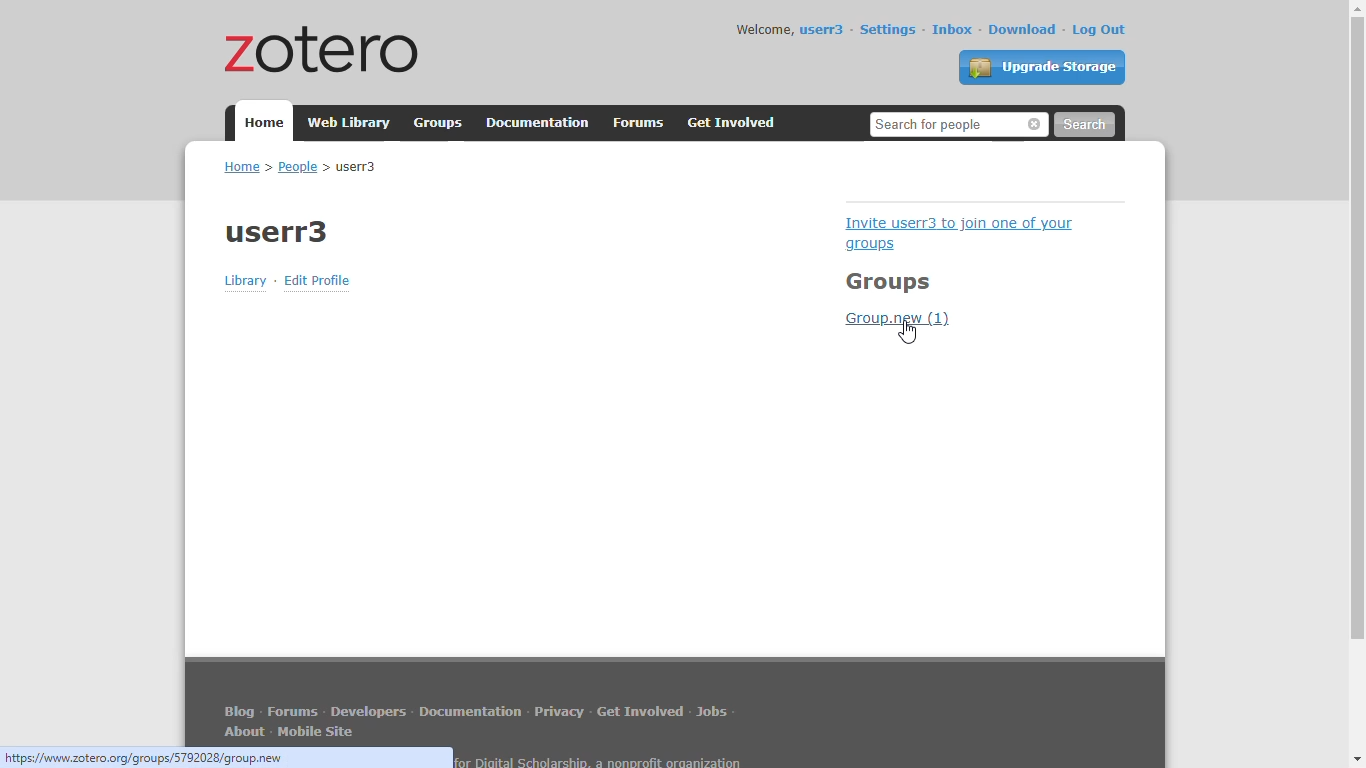 This screenshot has height=768, width=1366. Describe the element at coordinates (960, 234) in the screenshot. I see `invite userr3 to join one of your groups` at that location.